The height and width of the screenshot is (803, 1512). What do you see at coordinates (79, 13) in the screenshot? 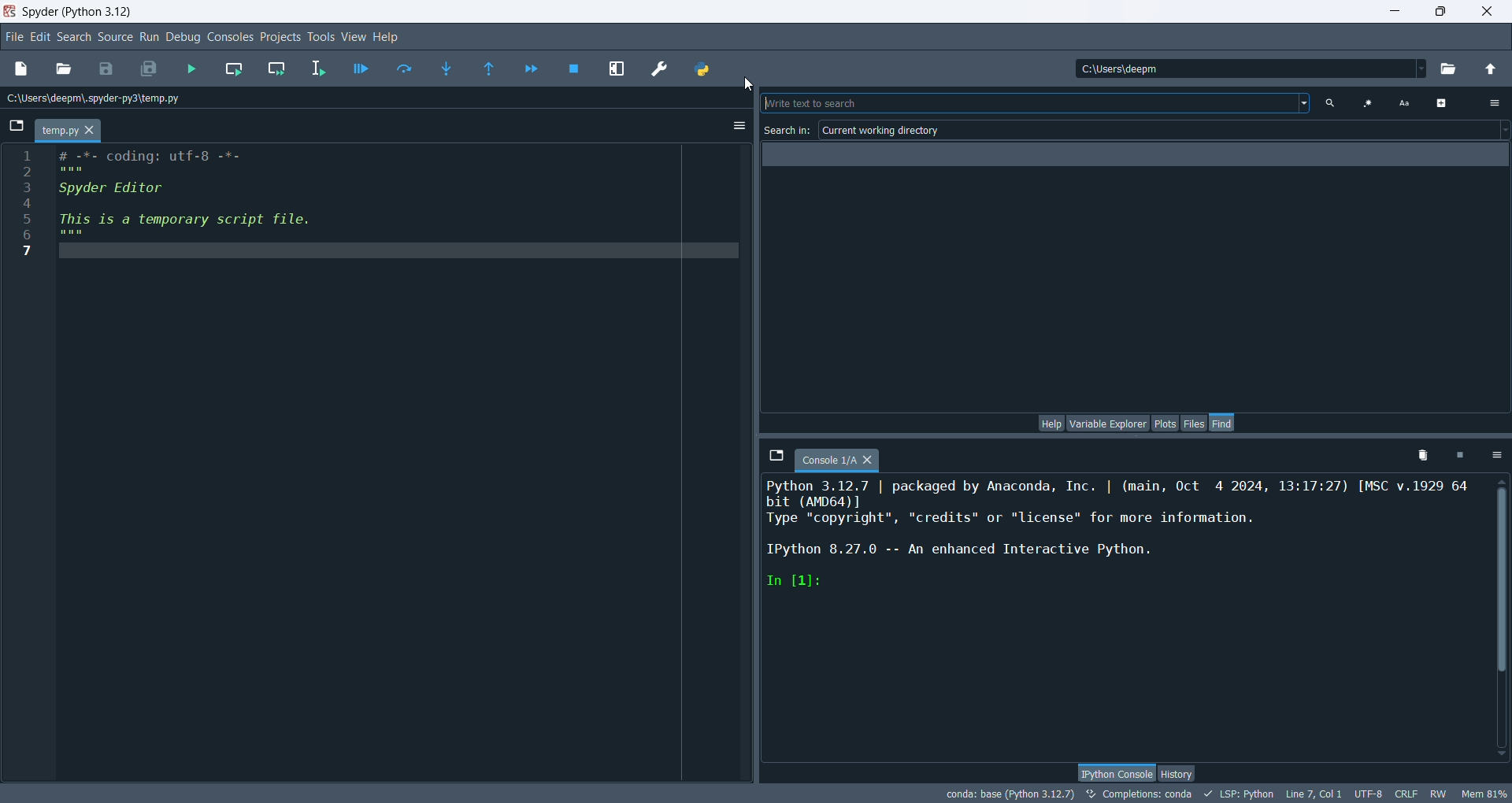
I see `spyder` at bounding box center [79, 13].